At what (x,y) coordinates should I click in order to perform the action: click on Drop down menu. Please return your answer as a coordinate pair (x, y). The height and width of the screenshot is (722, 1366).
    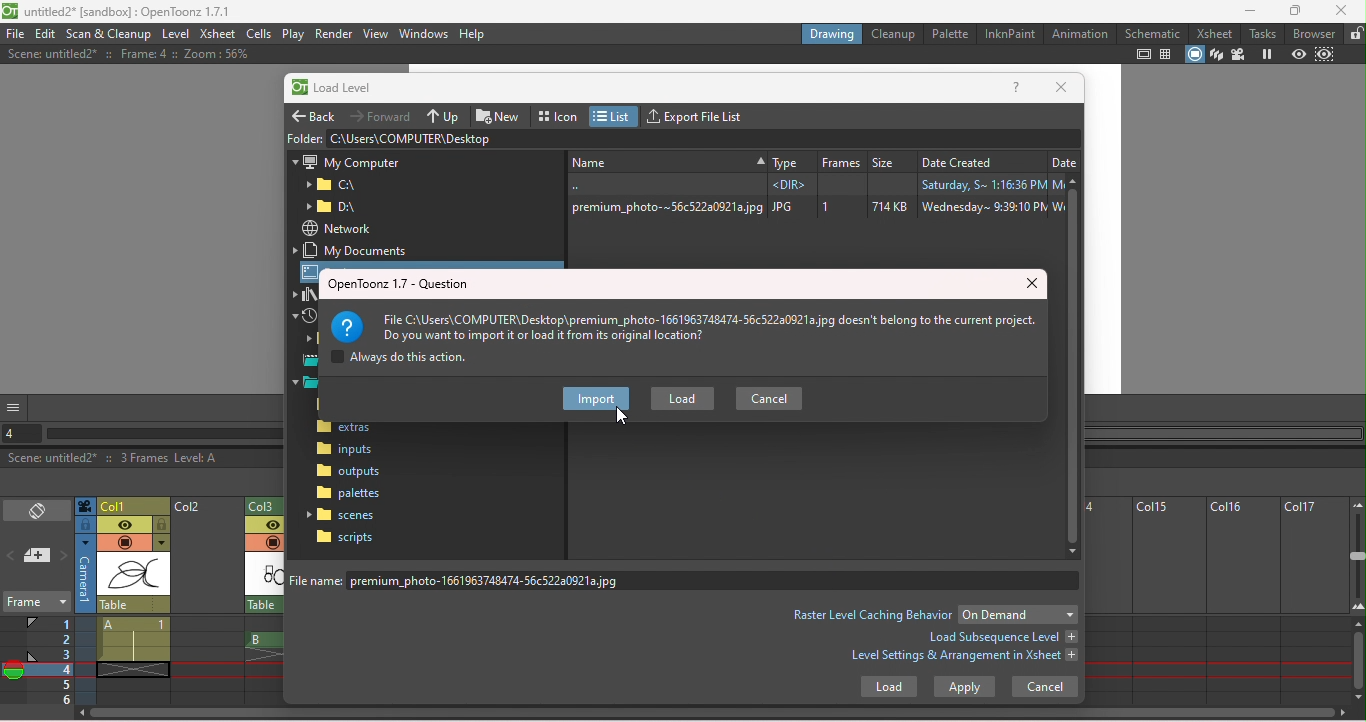
    Looking at the image, I should click on (1018, 614).